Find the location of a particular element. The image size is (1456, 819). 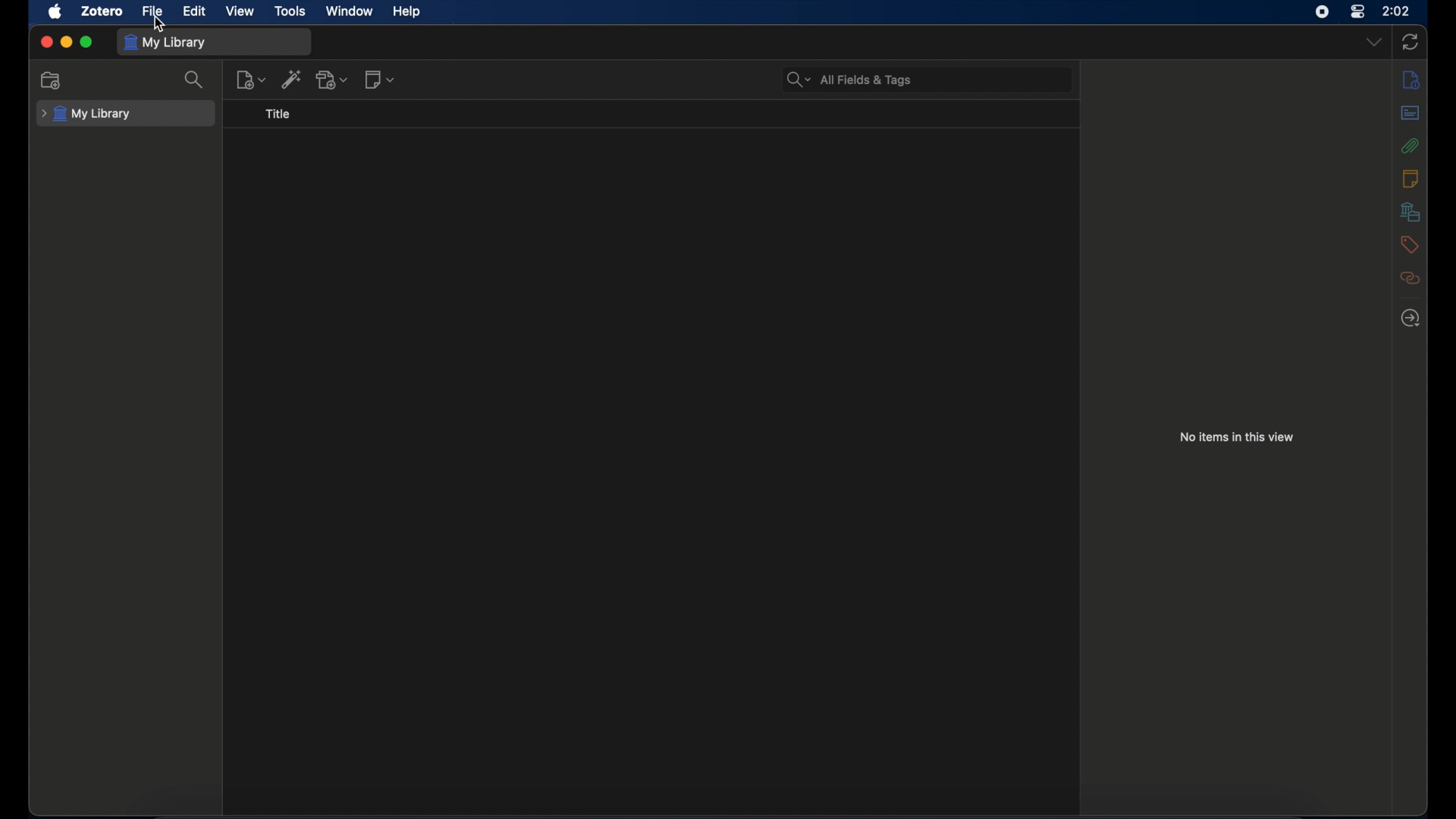

close is located at coordinates (45, 40).